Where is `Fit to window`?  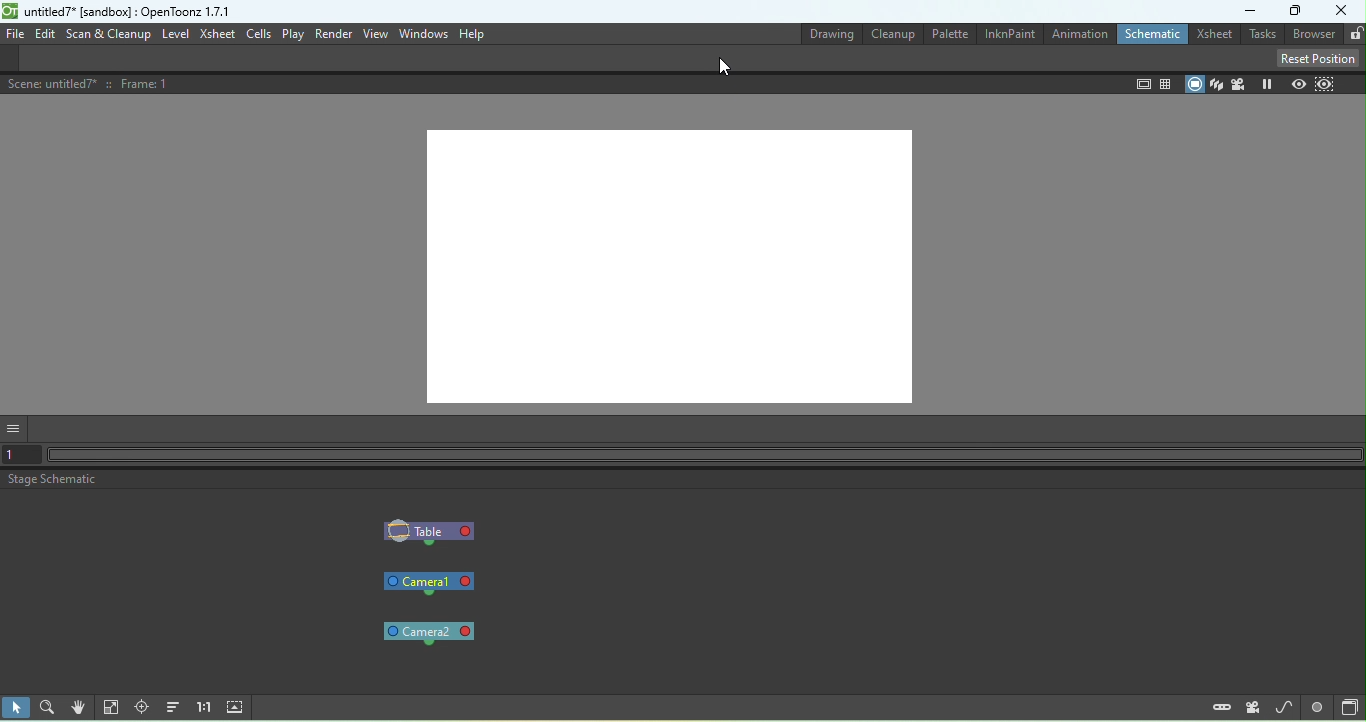
Fit to window is located at coordinates (114, 707).